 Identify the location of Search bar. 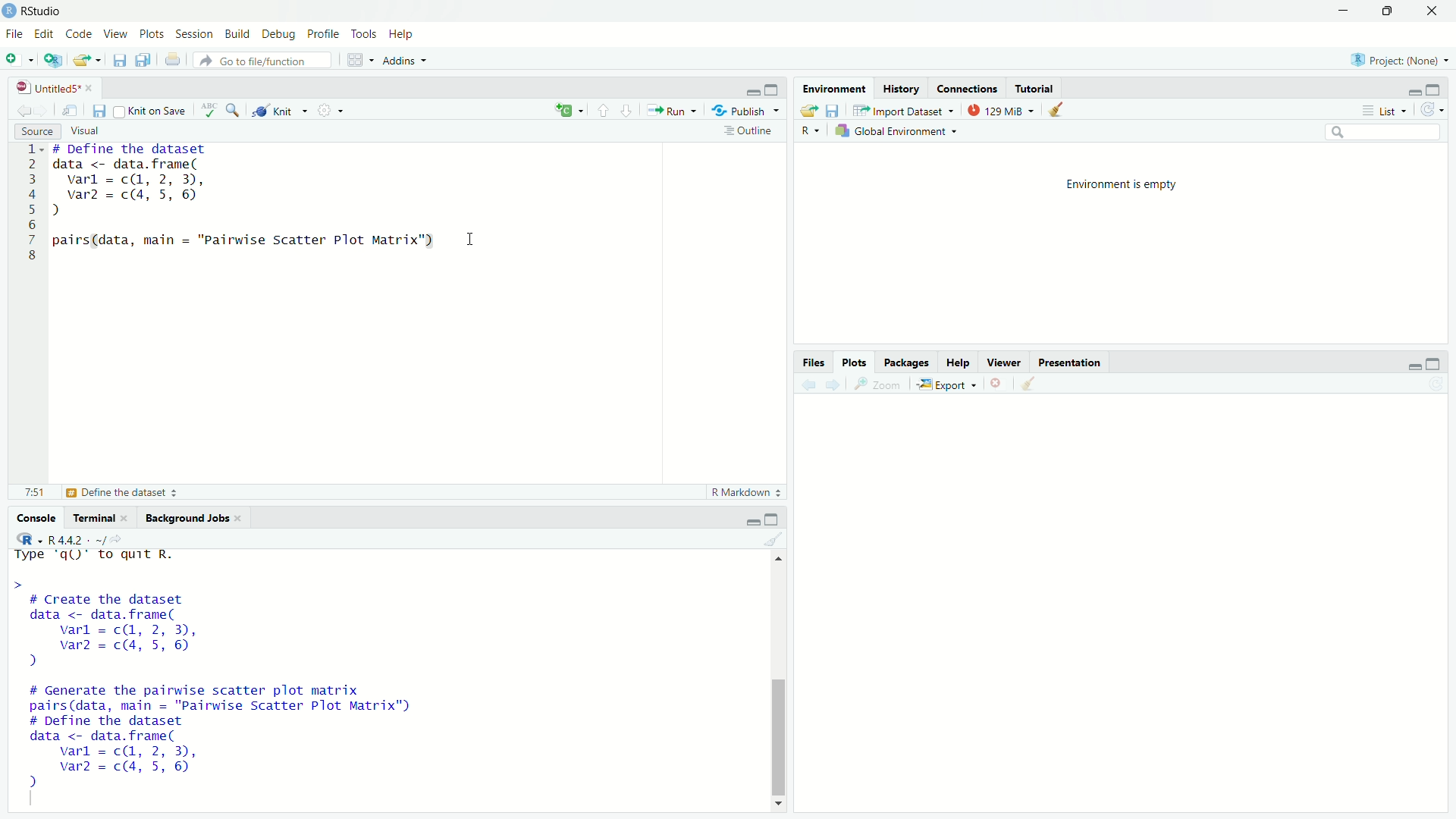
(1383, 133).